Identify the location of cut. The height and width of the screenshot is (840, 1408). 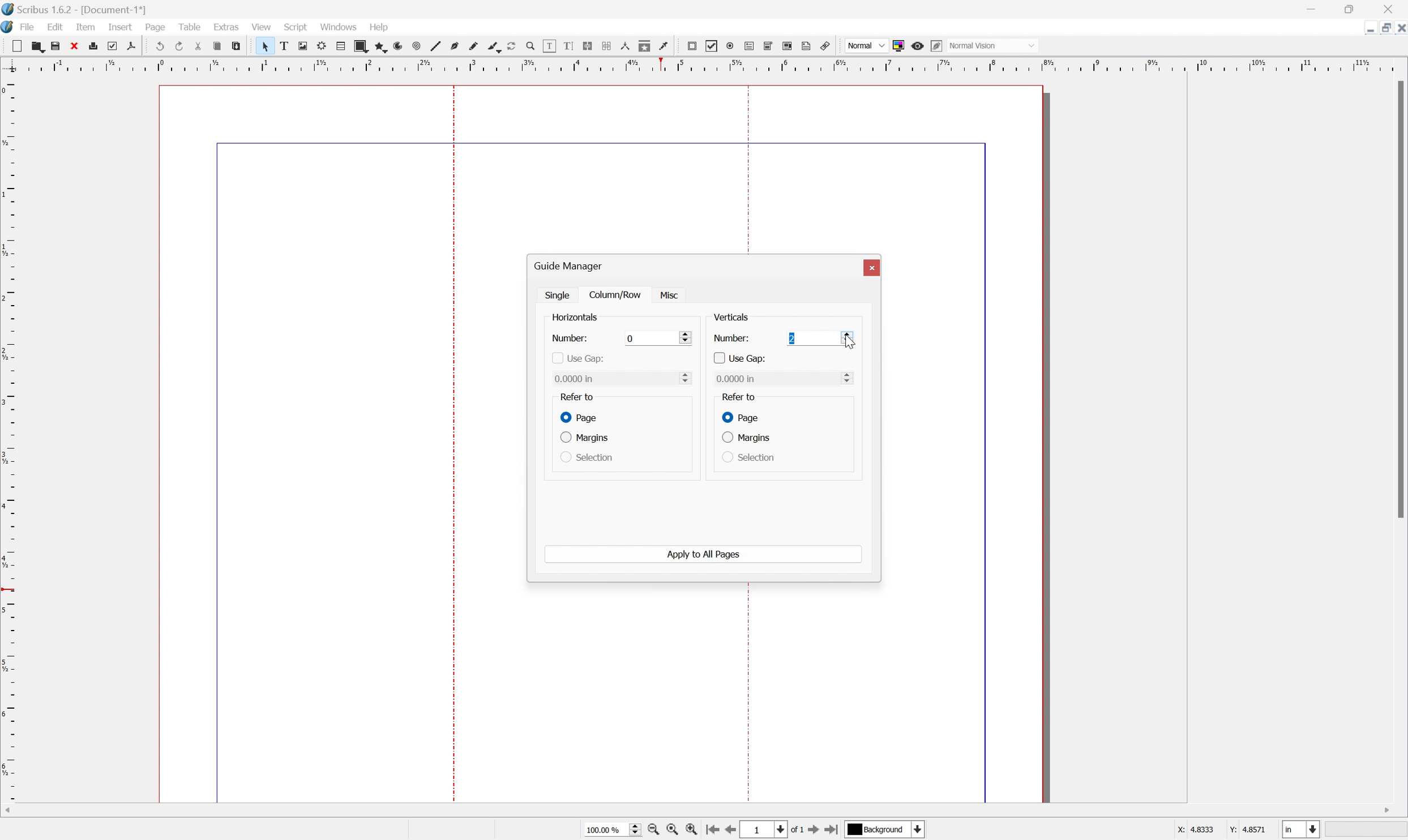
(198, 45).